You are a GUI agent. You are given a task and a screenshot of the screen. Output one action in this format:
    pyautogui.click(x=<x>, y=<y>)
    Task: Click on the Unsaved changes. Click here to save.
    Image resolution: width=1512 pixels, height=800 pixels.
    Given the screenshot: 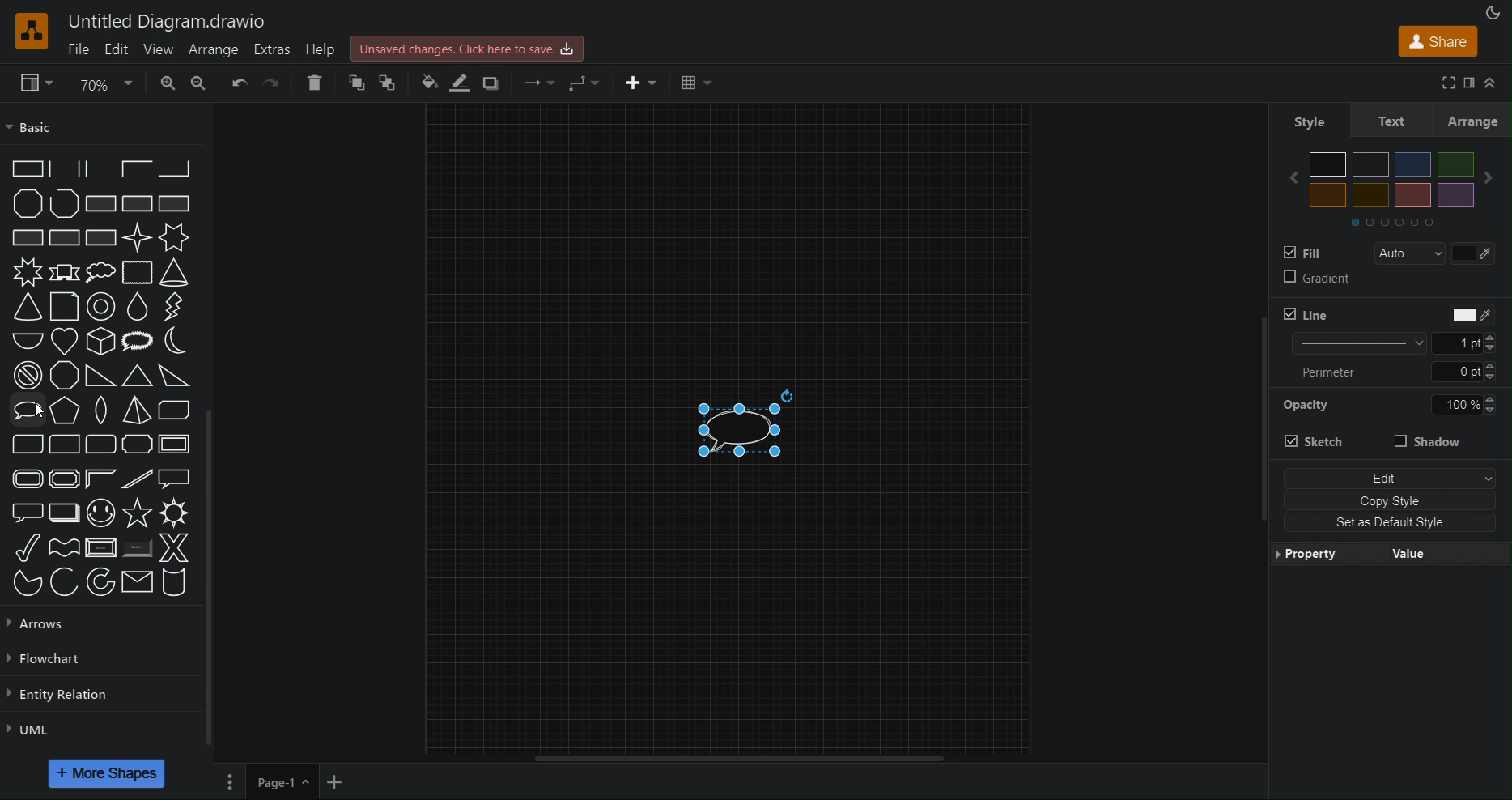 What is the action you would take?
    pyautogui.click(x=468, y=48)
    